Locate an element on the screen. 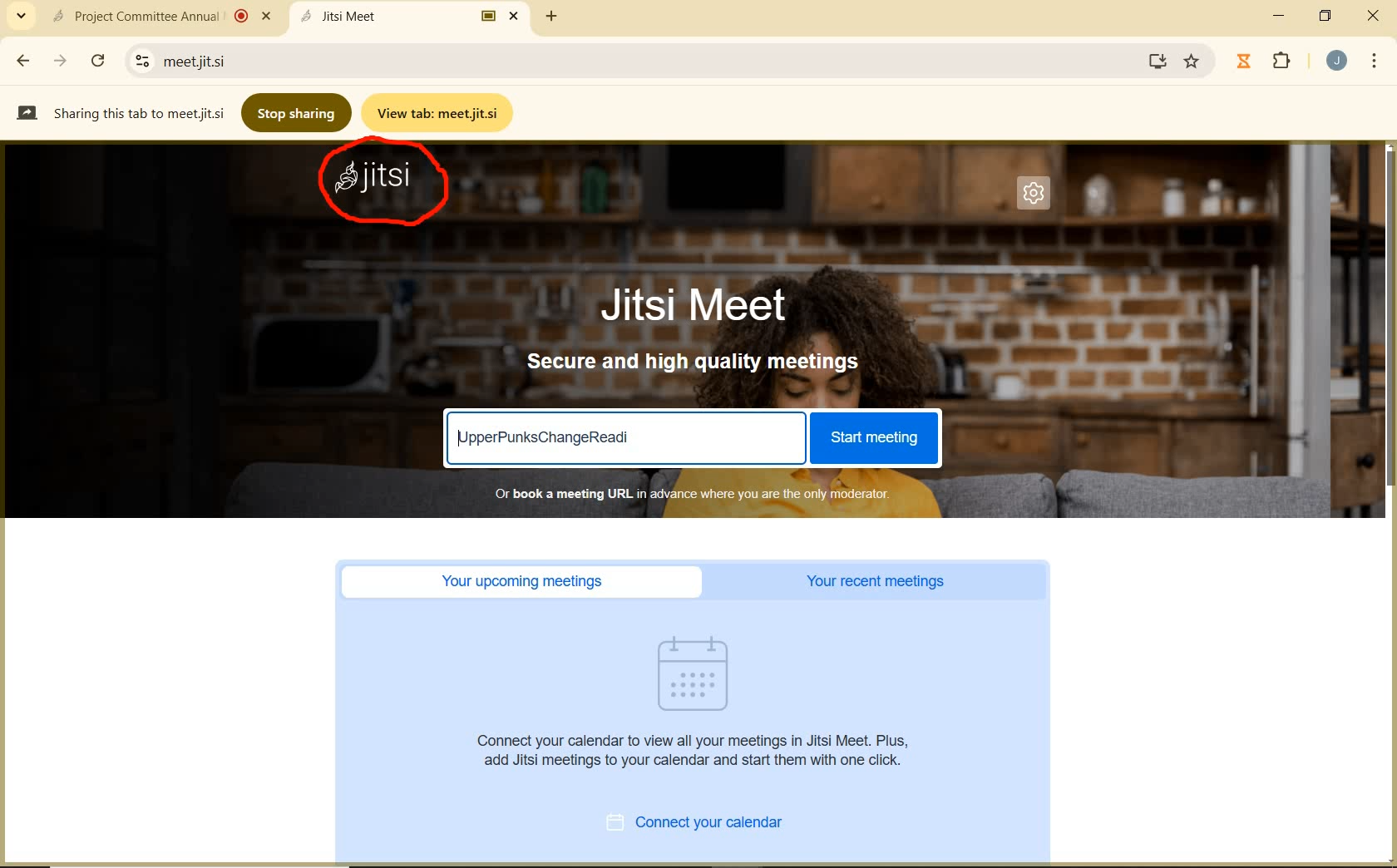 The width and height of the screenshot is (1397, 868). STOP SHARING is located at coordinates (298, 111).